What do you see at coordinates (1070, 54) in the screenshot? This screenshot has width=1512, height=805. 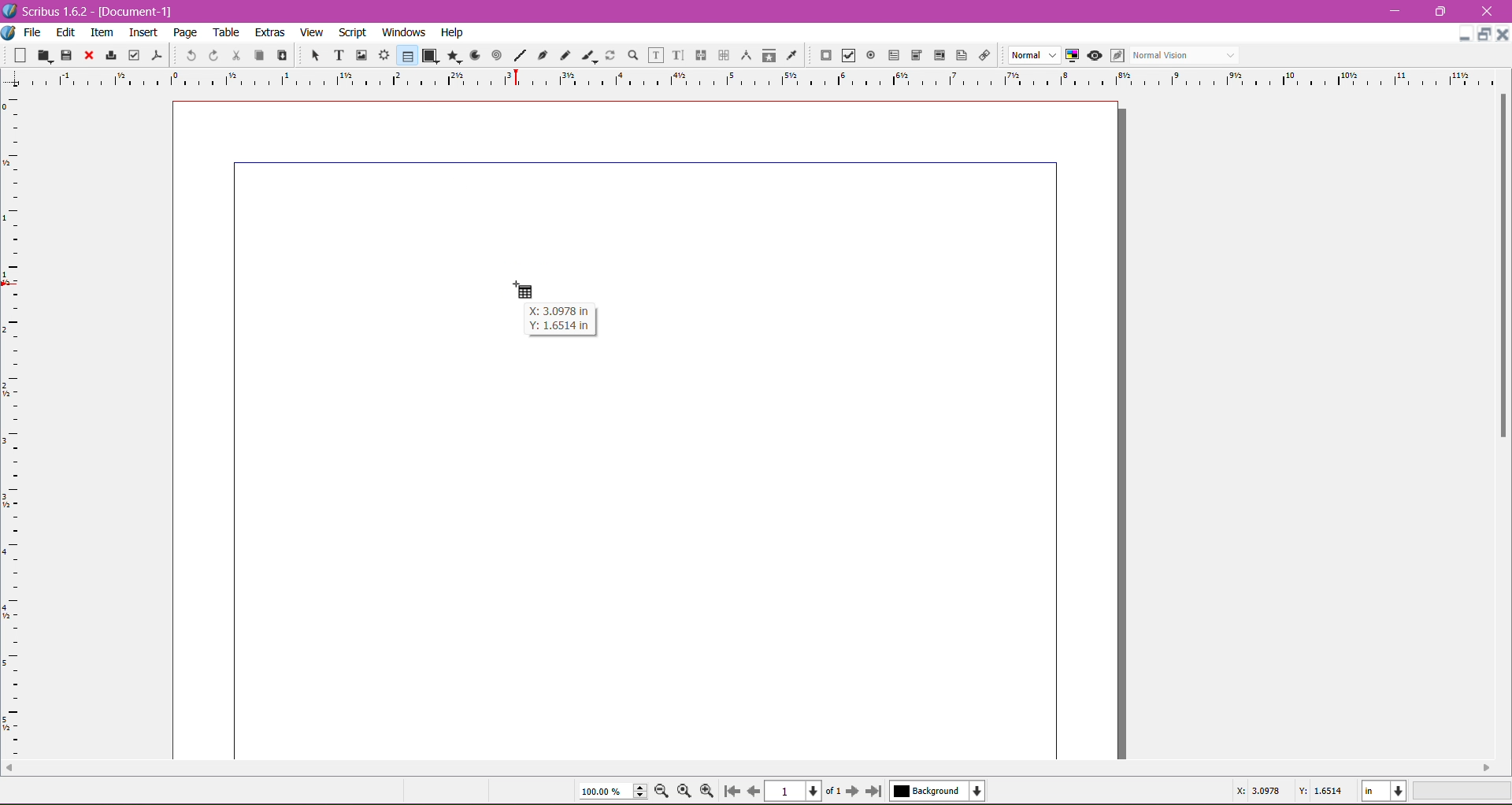 I see `Toggle Color Management System` at bounding box center [1070, 54].